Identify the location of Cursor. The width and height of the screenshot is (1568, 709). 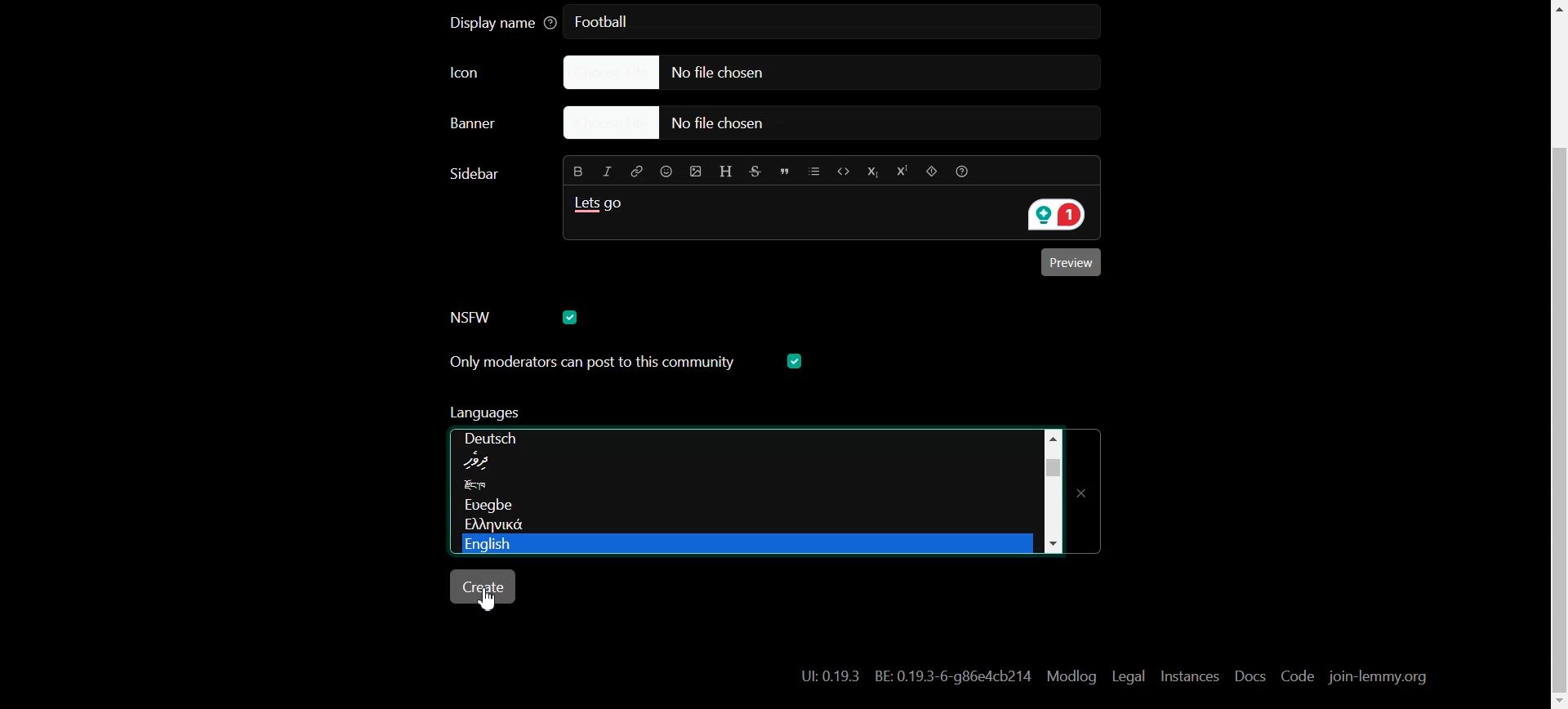
(490, 599).